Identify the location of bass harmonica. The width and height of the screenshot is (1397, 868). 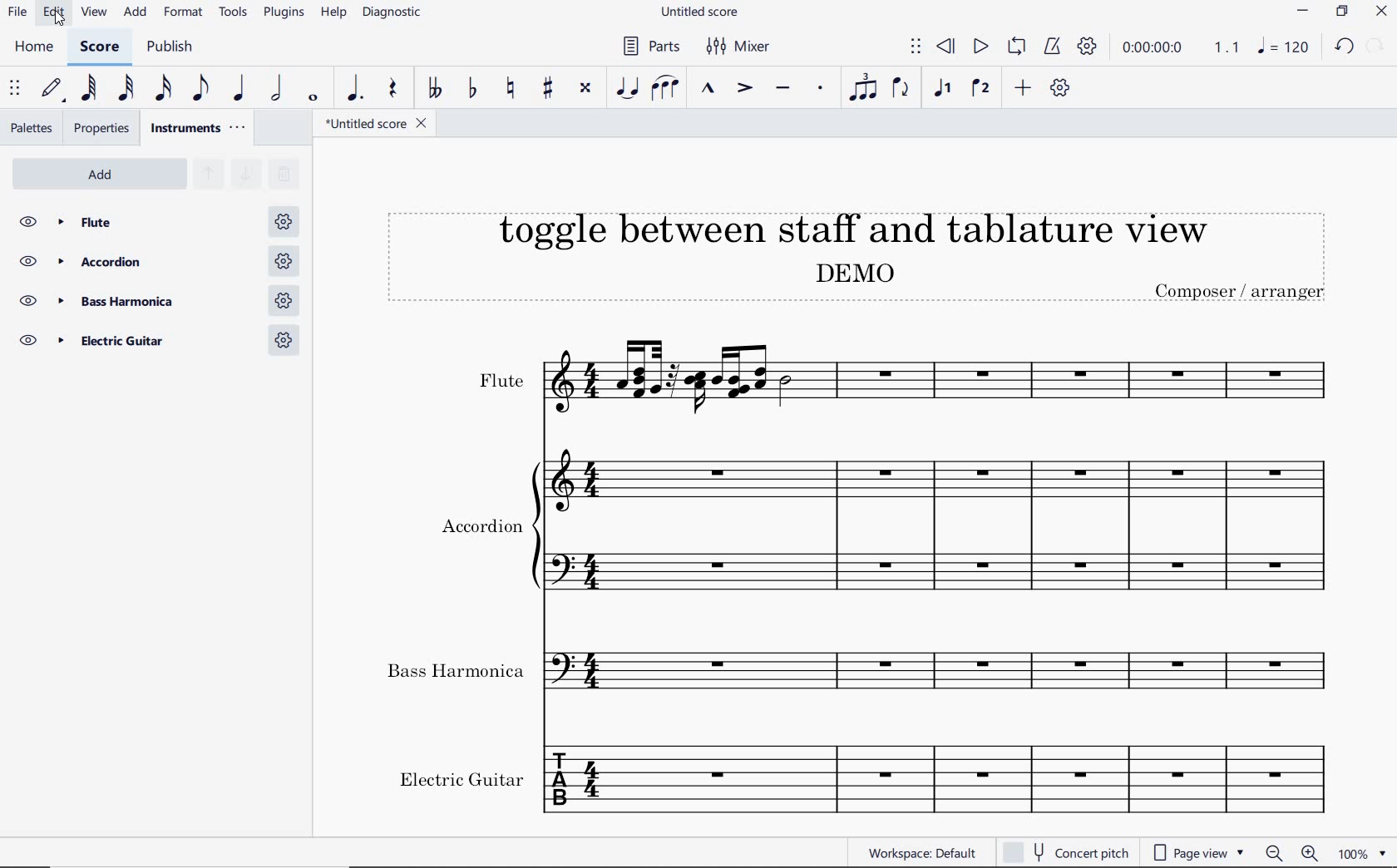
(159, 301).